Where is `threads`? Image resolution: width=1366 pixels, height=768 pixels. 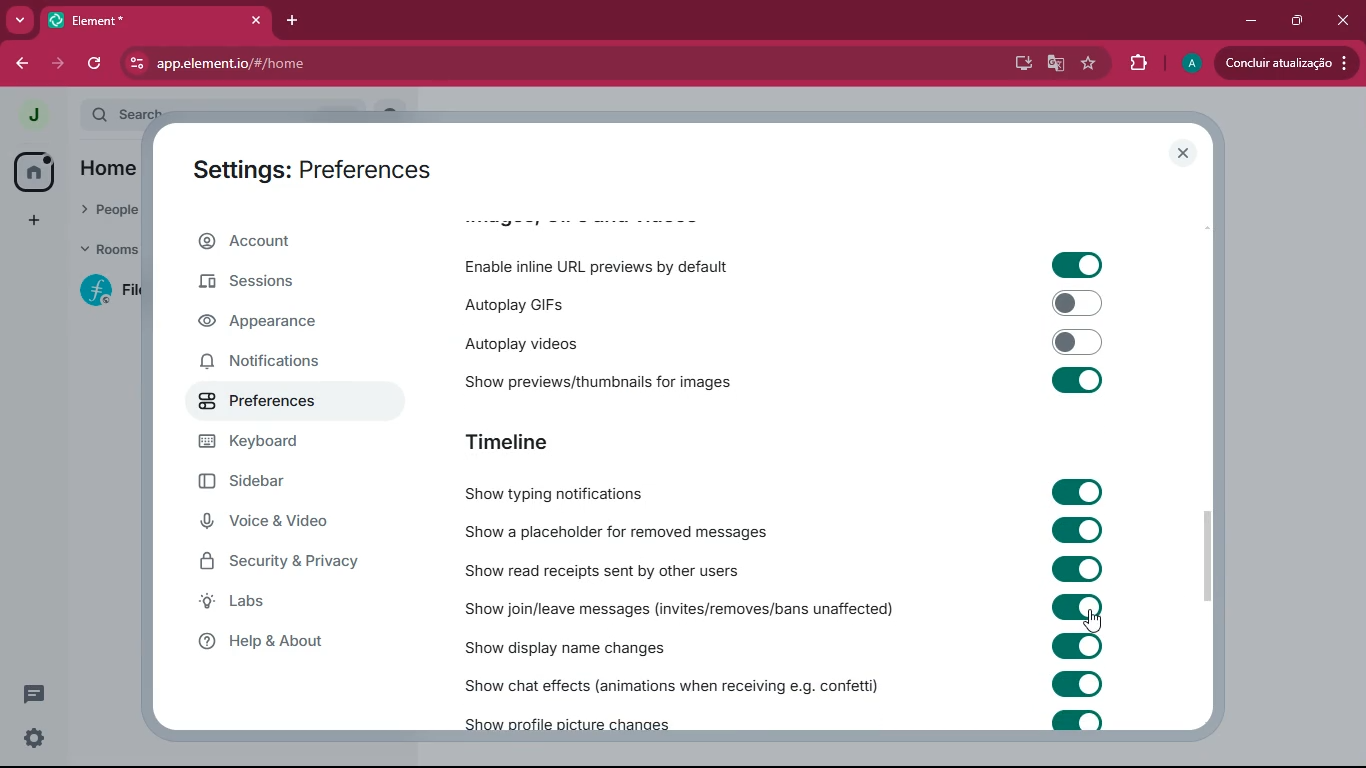 threads is located at coordinates (34, 694).